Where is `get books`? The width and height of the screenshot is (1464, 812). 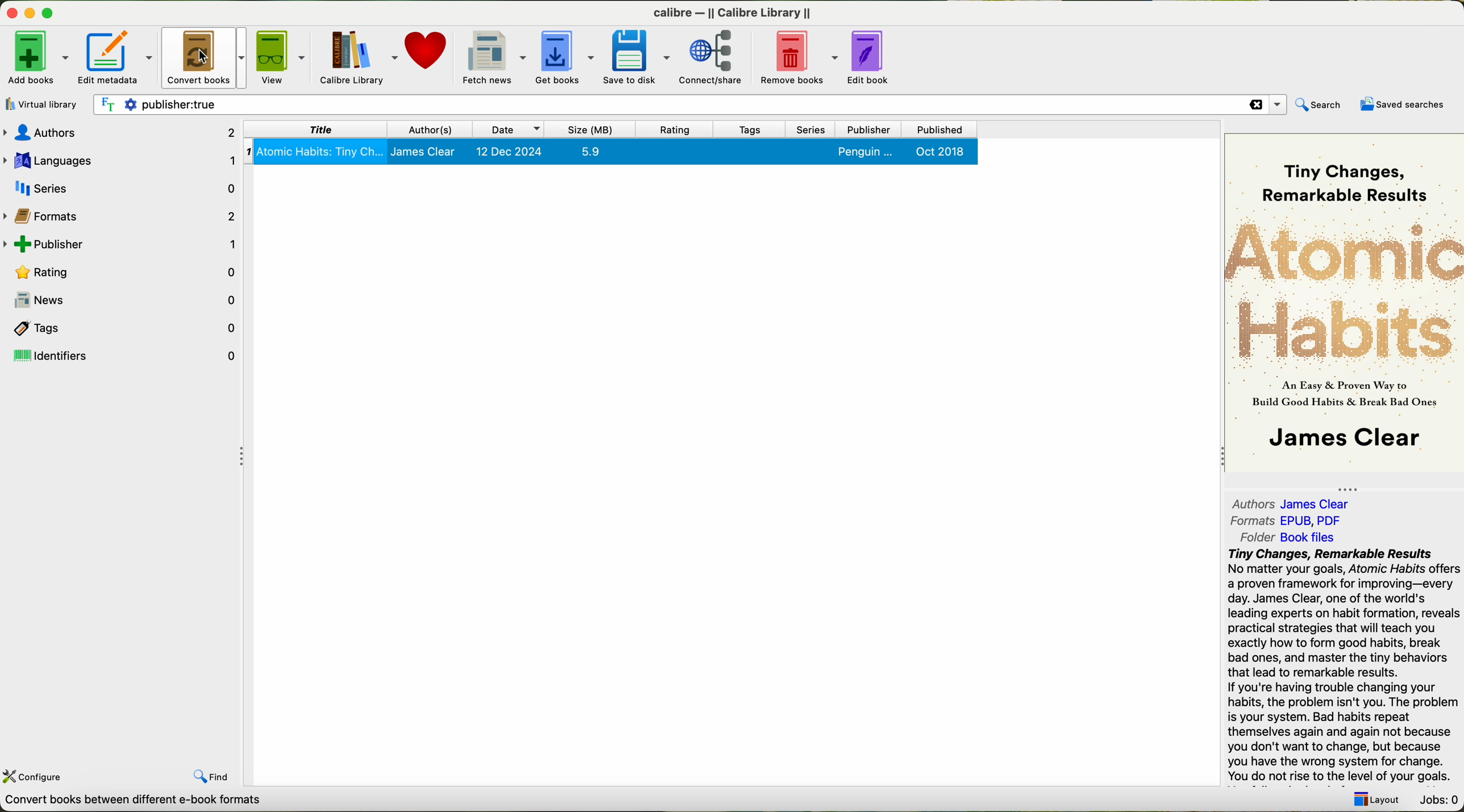 get books is located at coordinates (564, 56).